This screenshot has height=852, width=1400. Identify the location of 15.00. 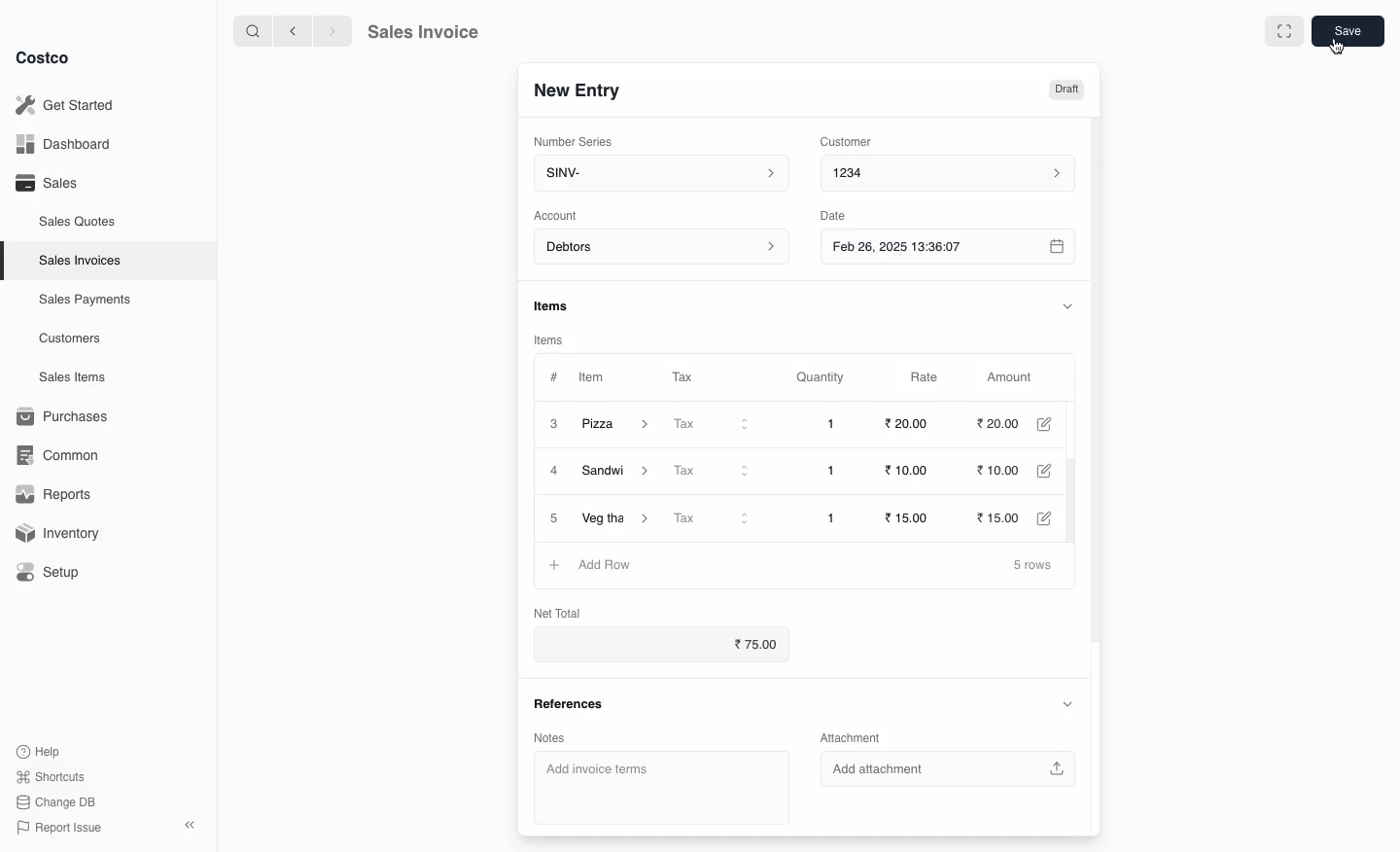
(914, 516).